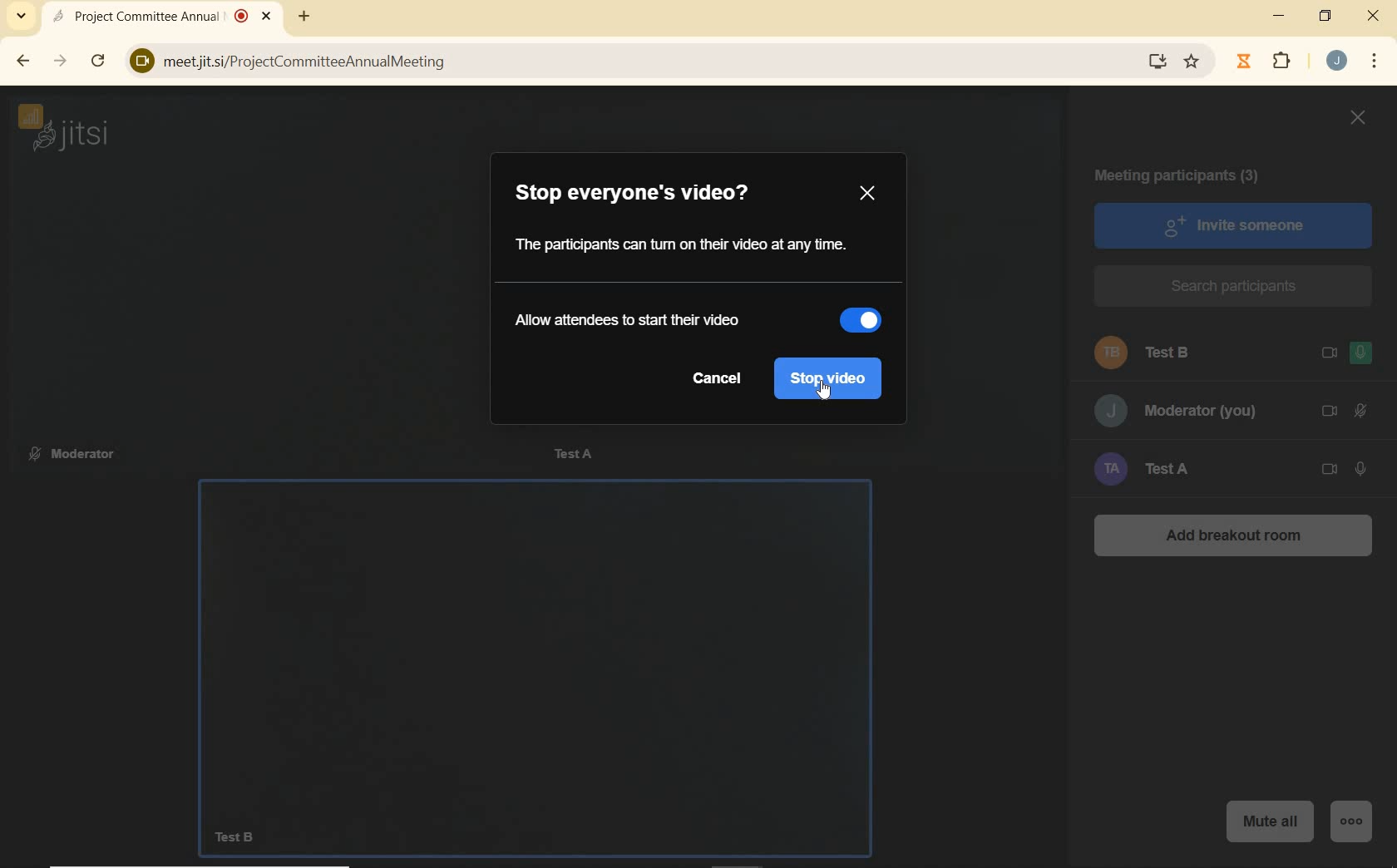  I want to click on Favorite, so click(1193, 59).